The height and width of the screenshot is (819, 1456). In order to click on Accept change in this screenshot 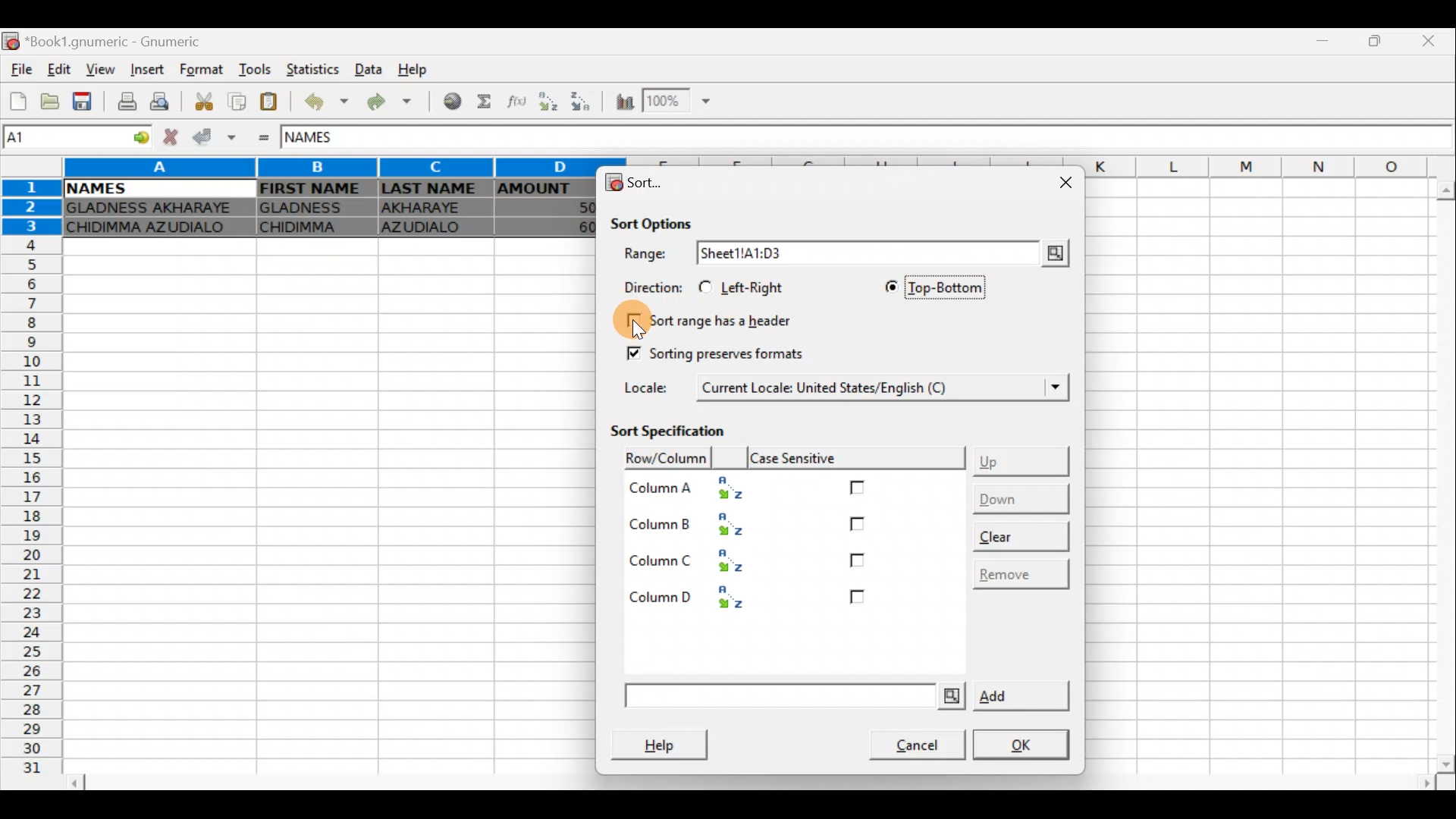, I will do `click(212, 137)`.